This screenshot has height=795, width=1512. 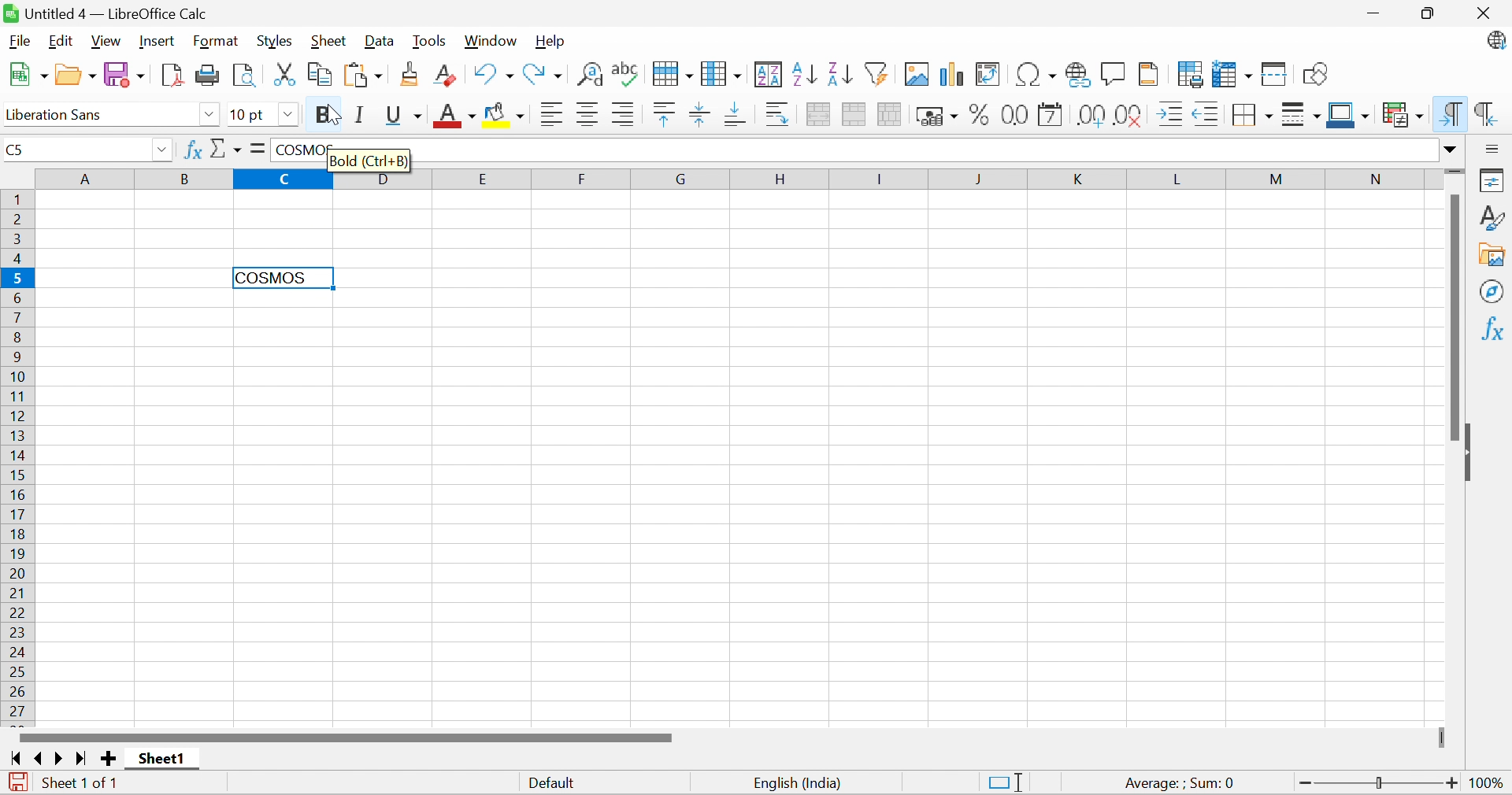 I want to click on Format as Currency, so click(x=936, y=115).